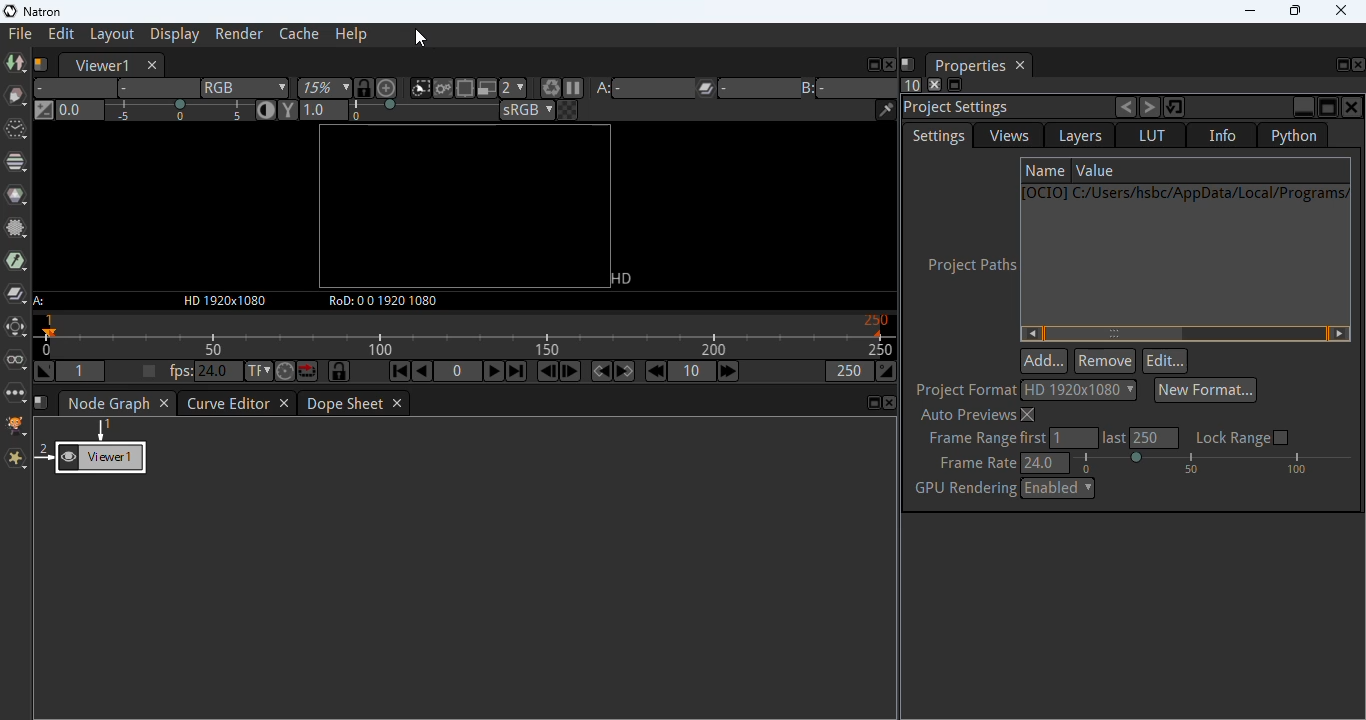 This screenshot has height=720, width=1366. I want to click on close pane, so click(1361, 65).